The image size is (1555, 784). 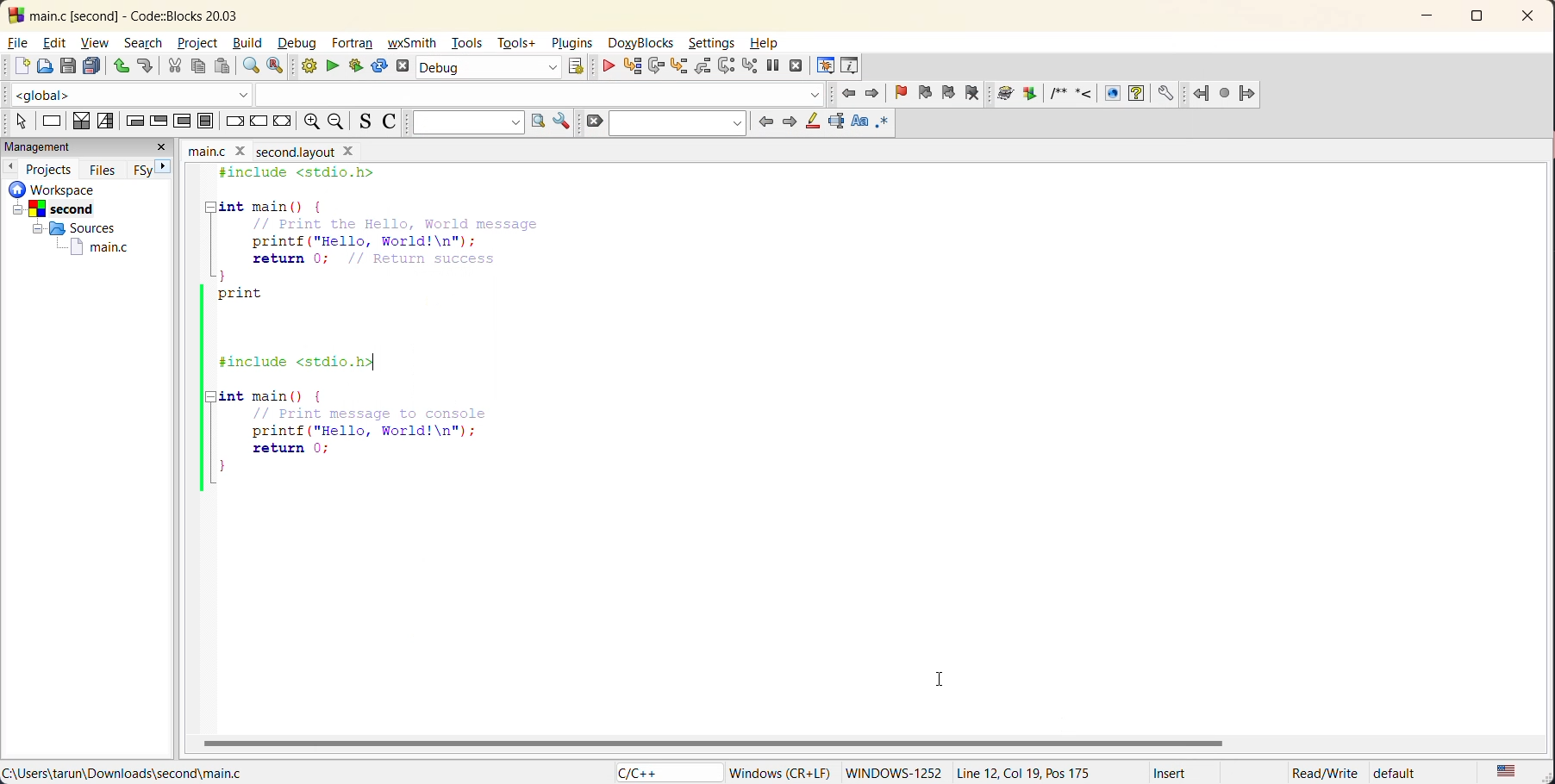 What do you see at coordinates (885, 121) in the screenshot?
I see `use regex` at bounding box center [885, 121].